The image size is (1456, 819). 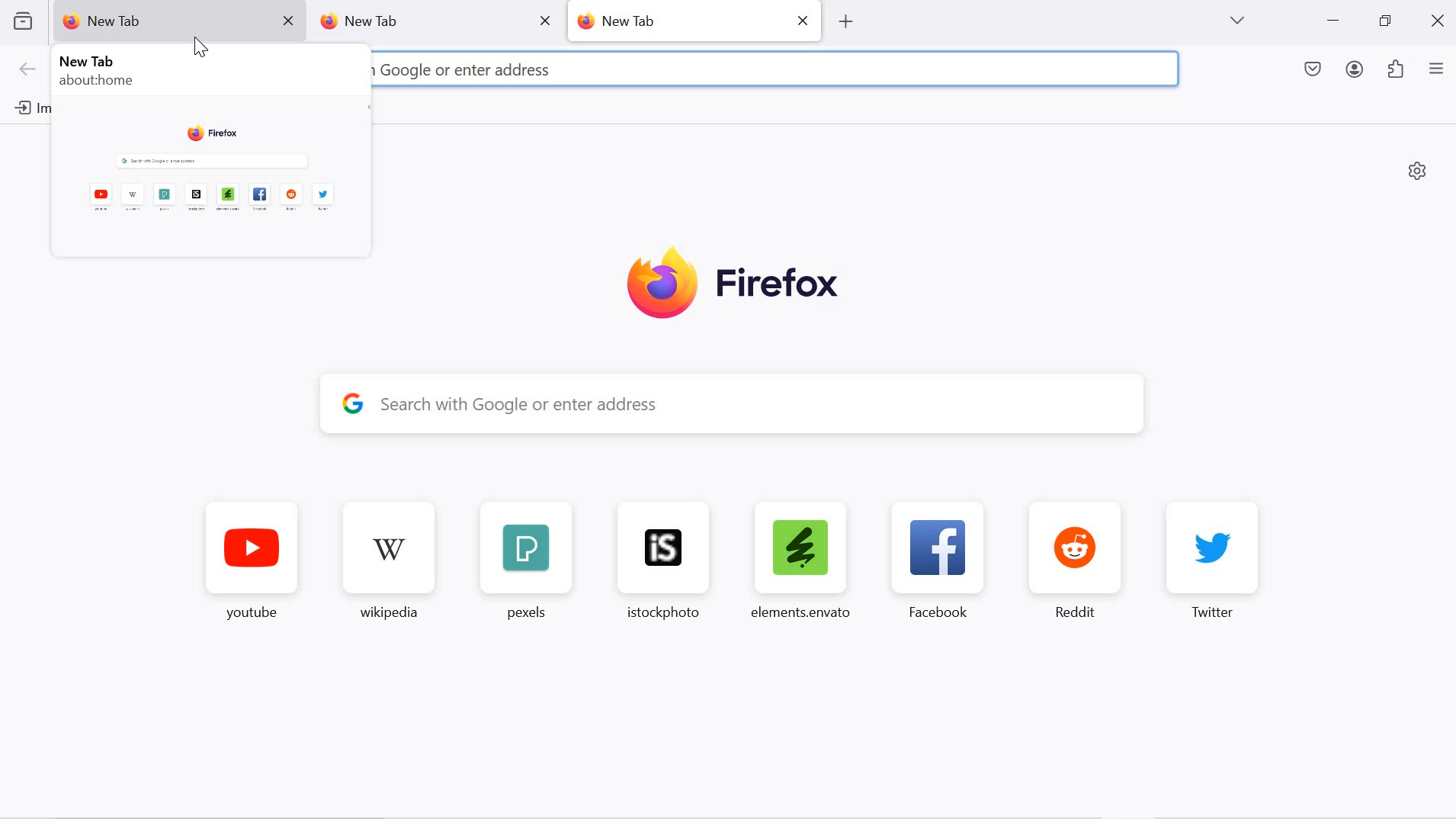 I want to click on close, so click(x=805, y=19).